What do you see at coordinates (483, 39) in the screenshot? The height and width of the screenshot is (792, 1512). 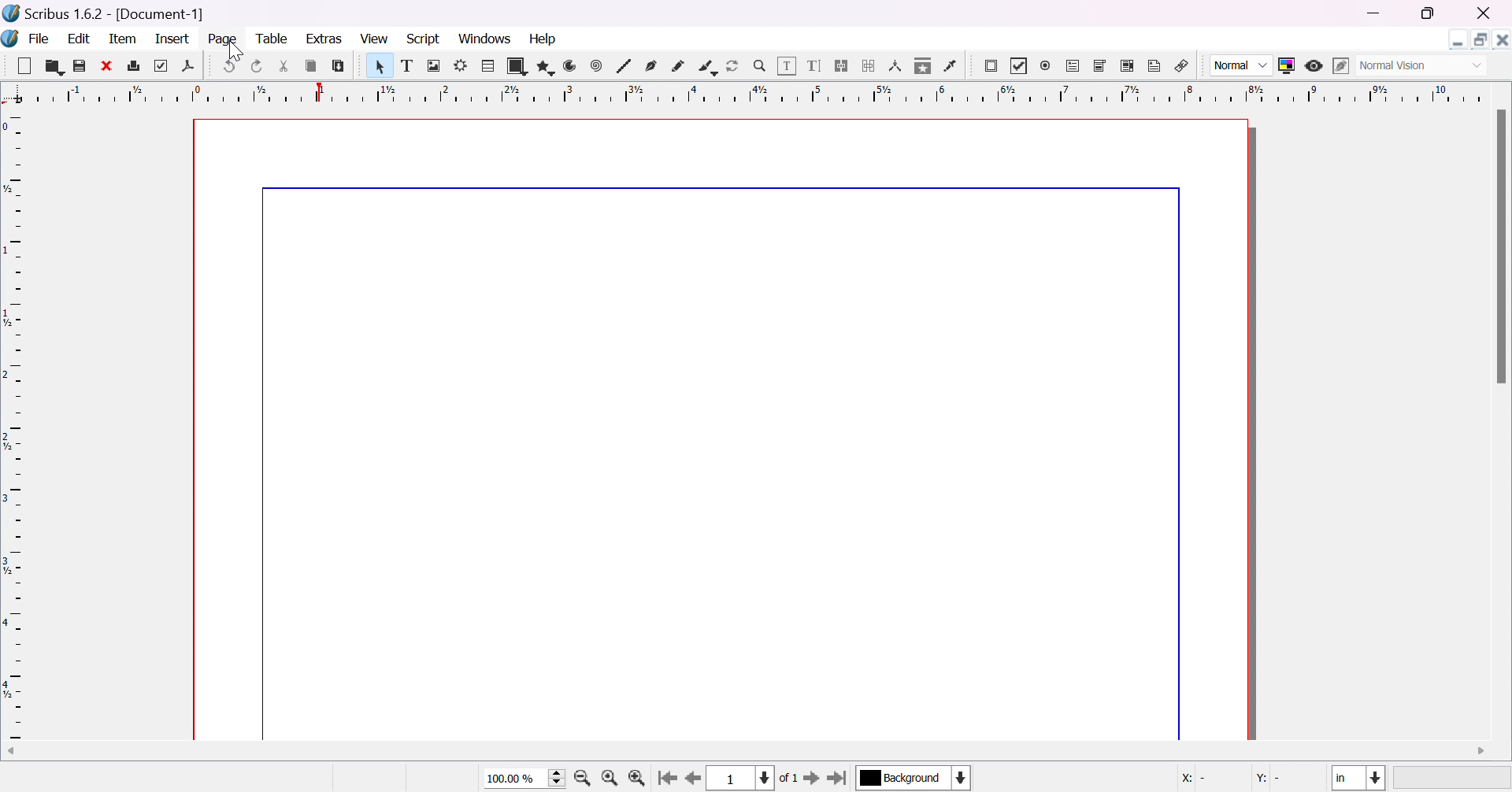 I see `windows` at bounding box center [483, 39].